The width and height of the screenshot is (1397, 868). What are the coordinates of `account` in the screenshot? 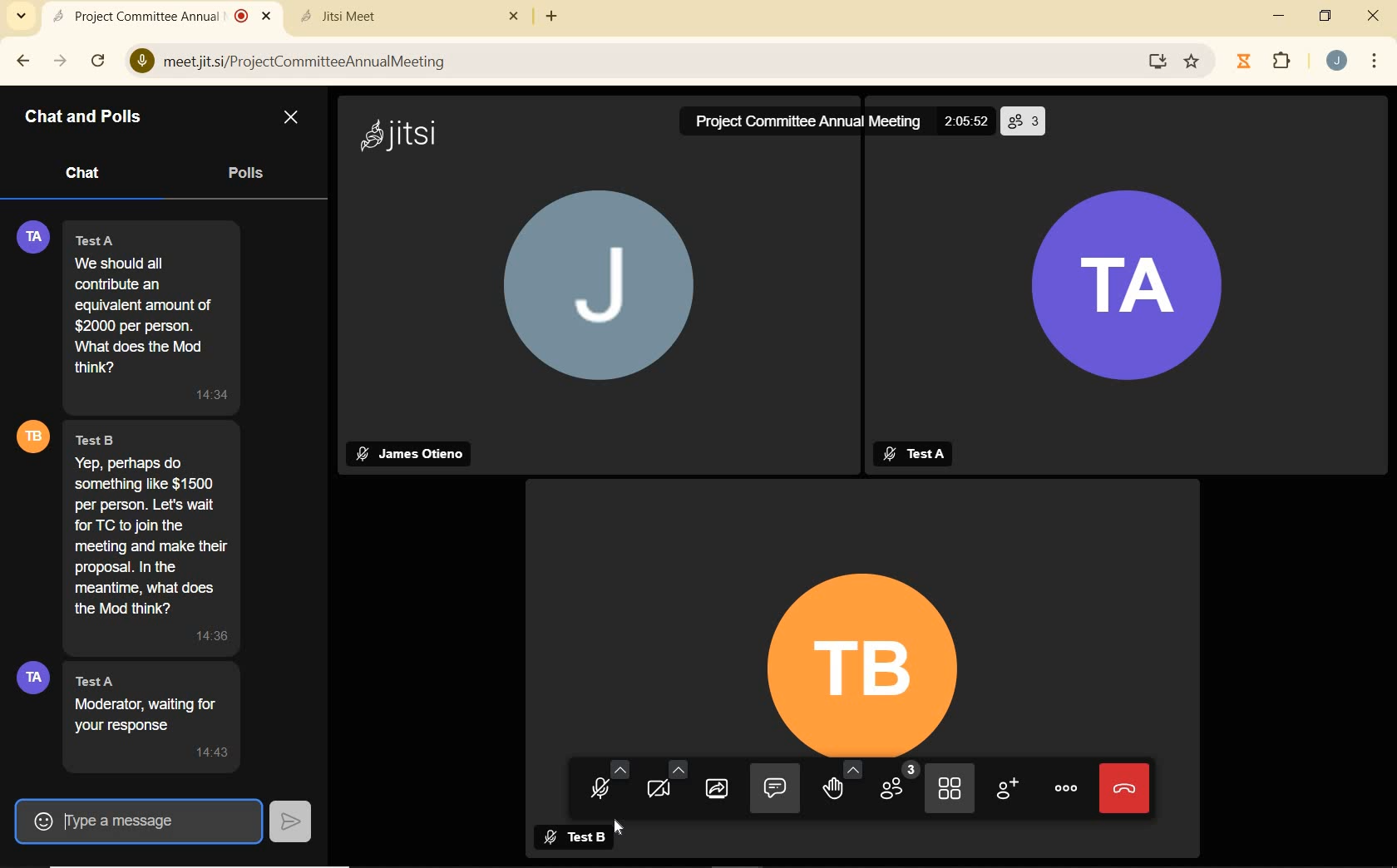 It's located at (1334, 60).